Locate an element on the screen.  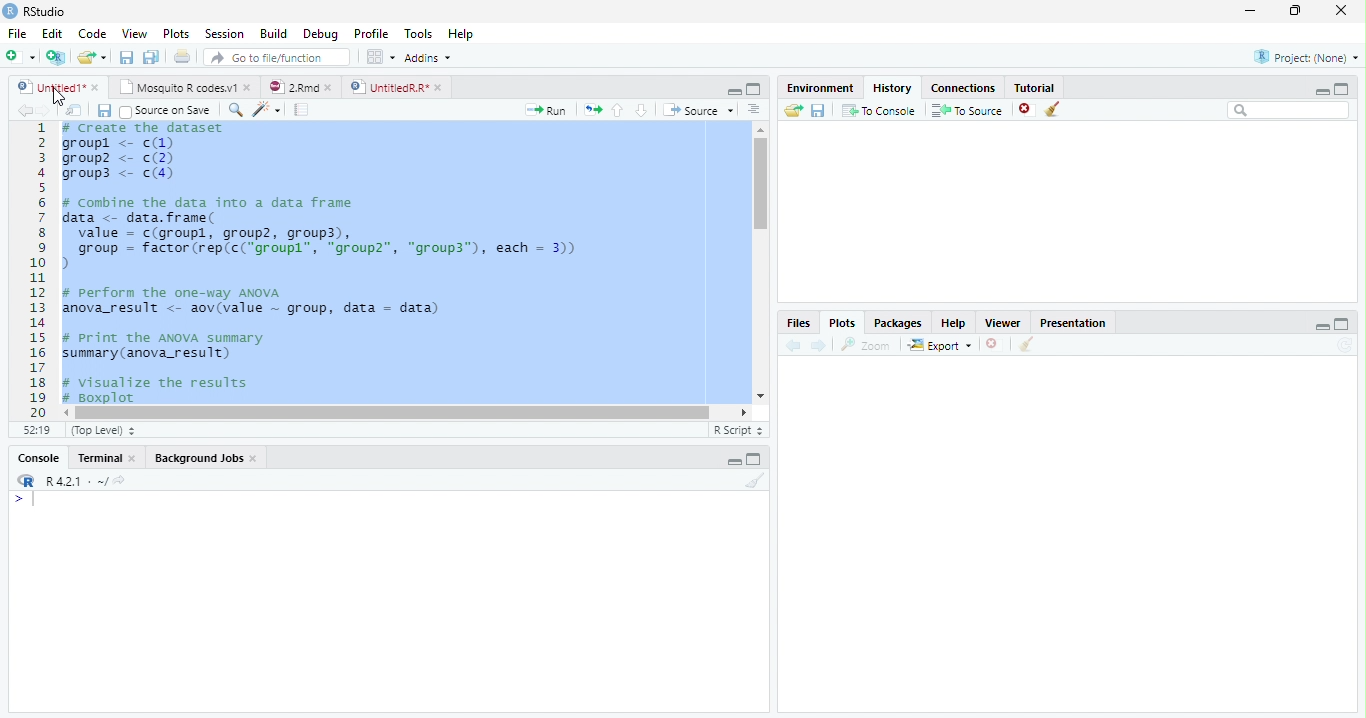
1:1 is located at coordinates (36, 433).